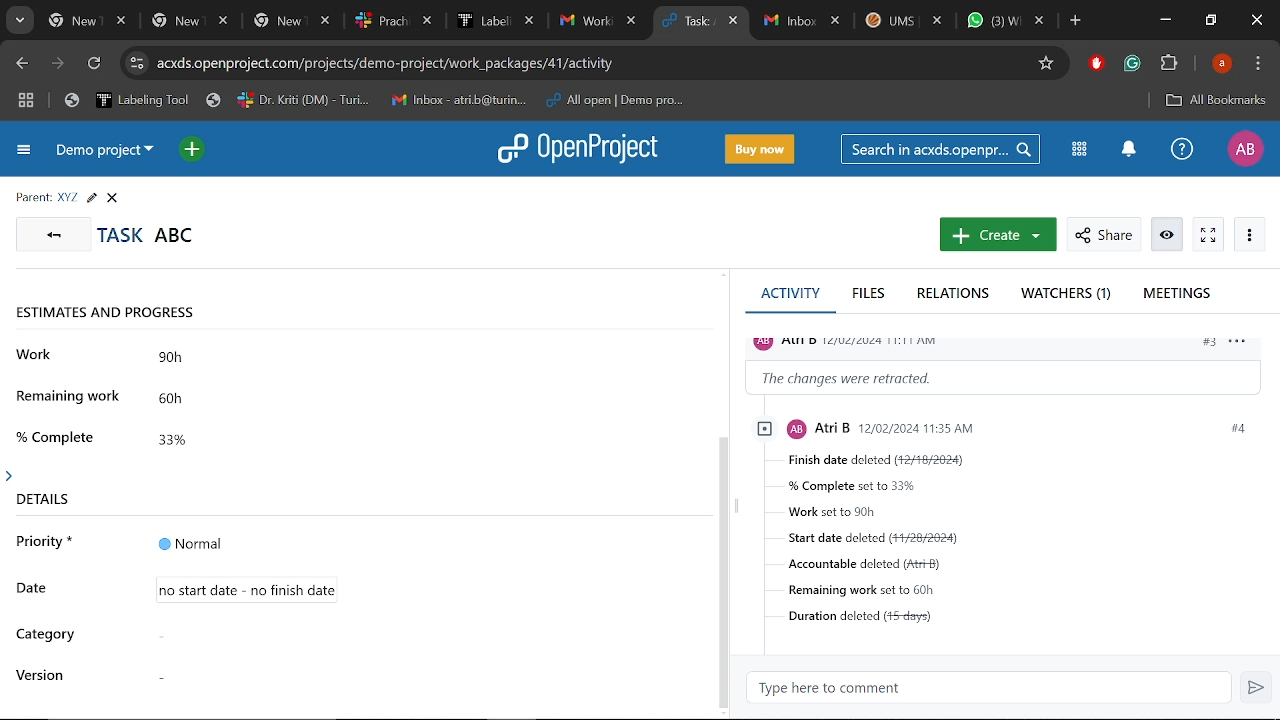 The height and width of the screenshot is (720, 1280). Describe the element at coordinates (47, 636) in the screenshot. I see `category` at that location.